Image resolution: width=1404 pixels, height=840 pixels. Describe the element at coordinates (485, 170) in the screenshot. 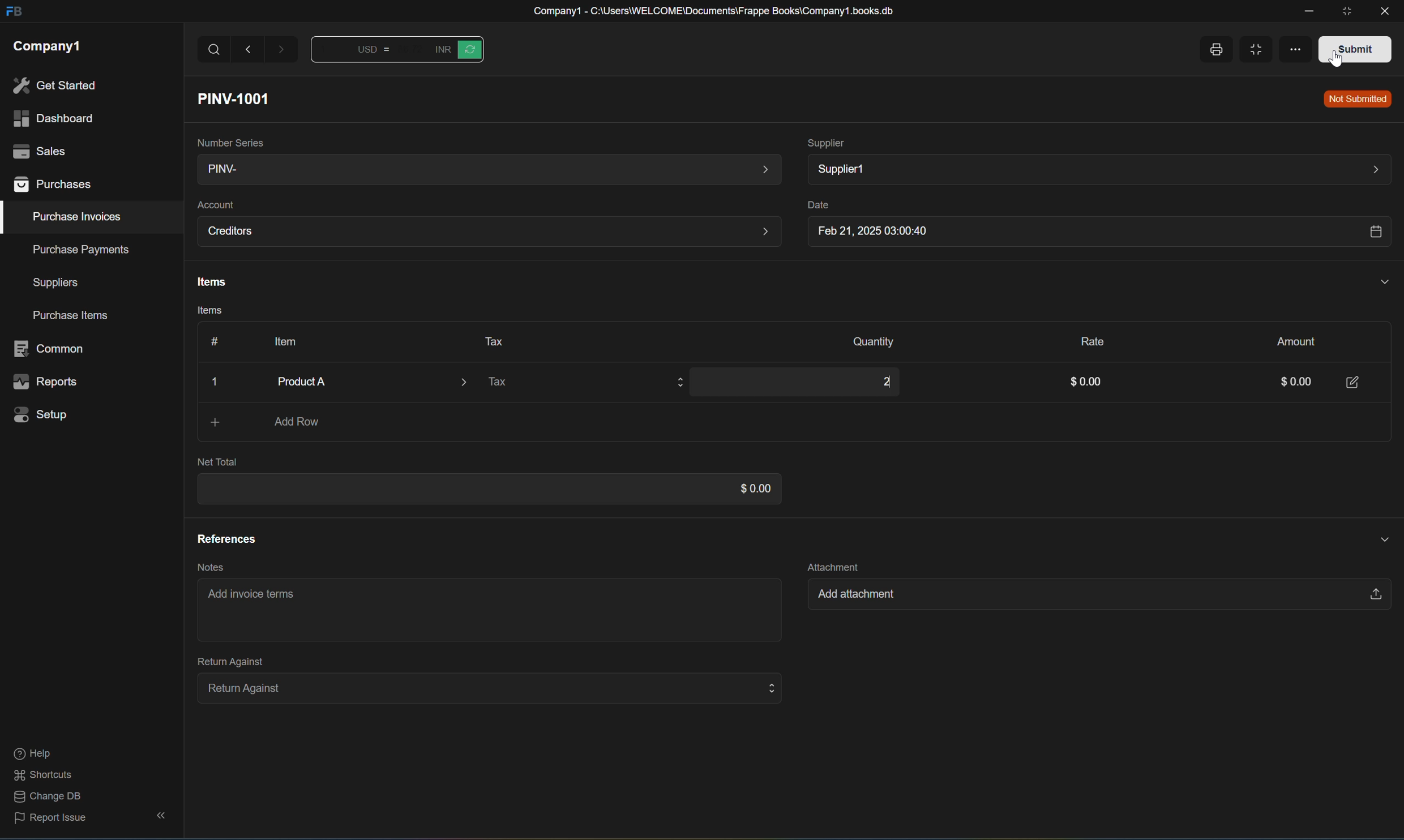

I see `PINV-` at that location.